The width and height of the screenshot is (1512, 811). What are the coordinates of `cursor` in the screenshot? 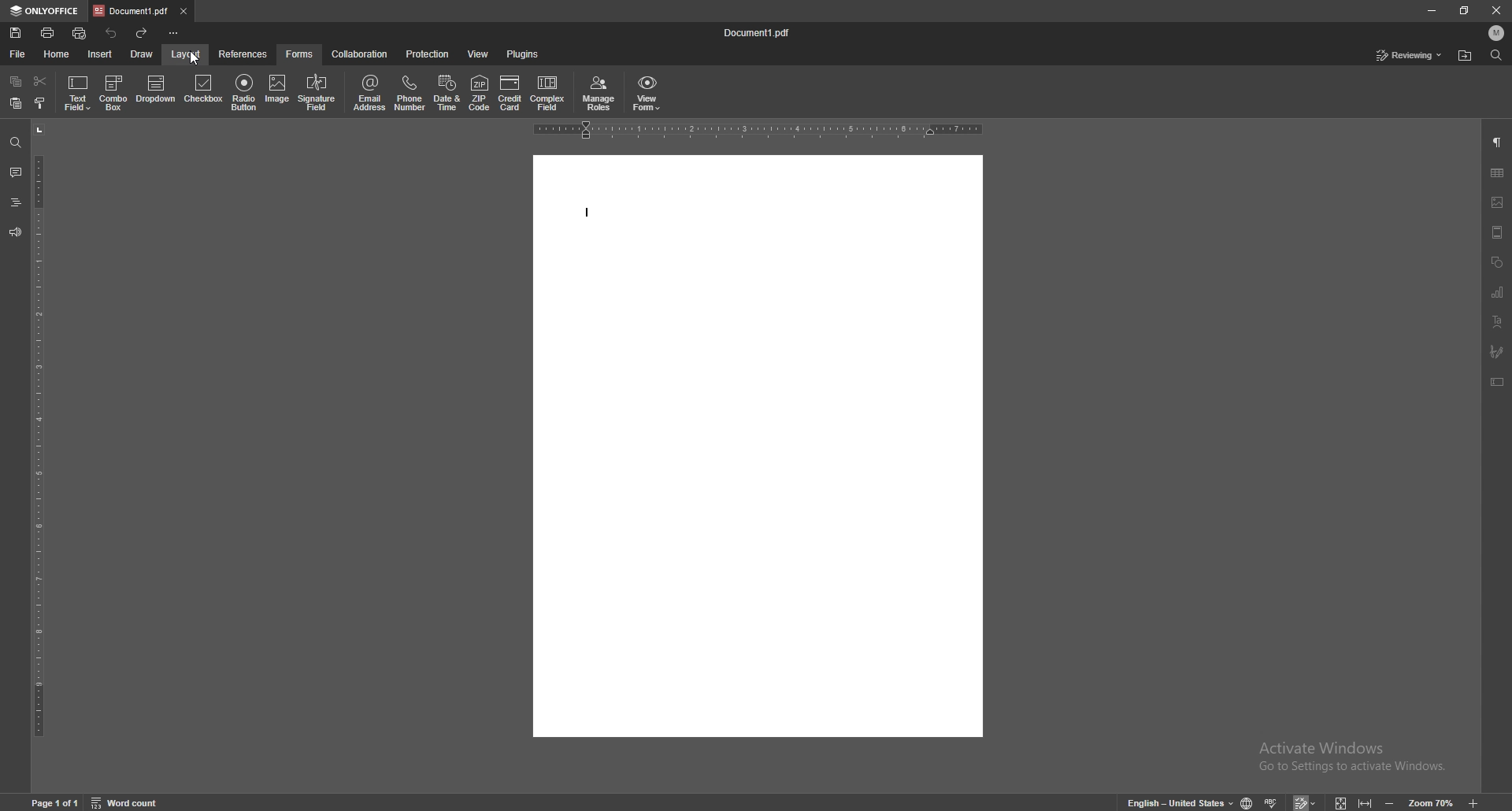 It's located at (197, 61).